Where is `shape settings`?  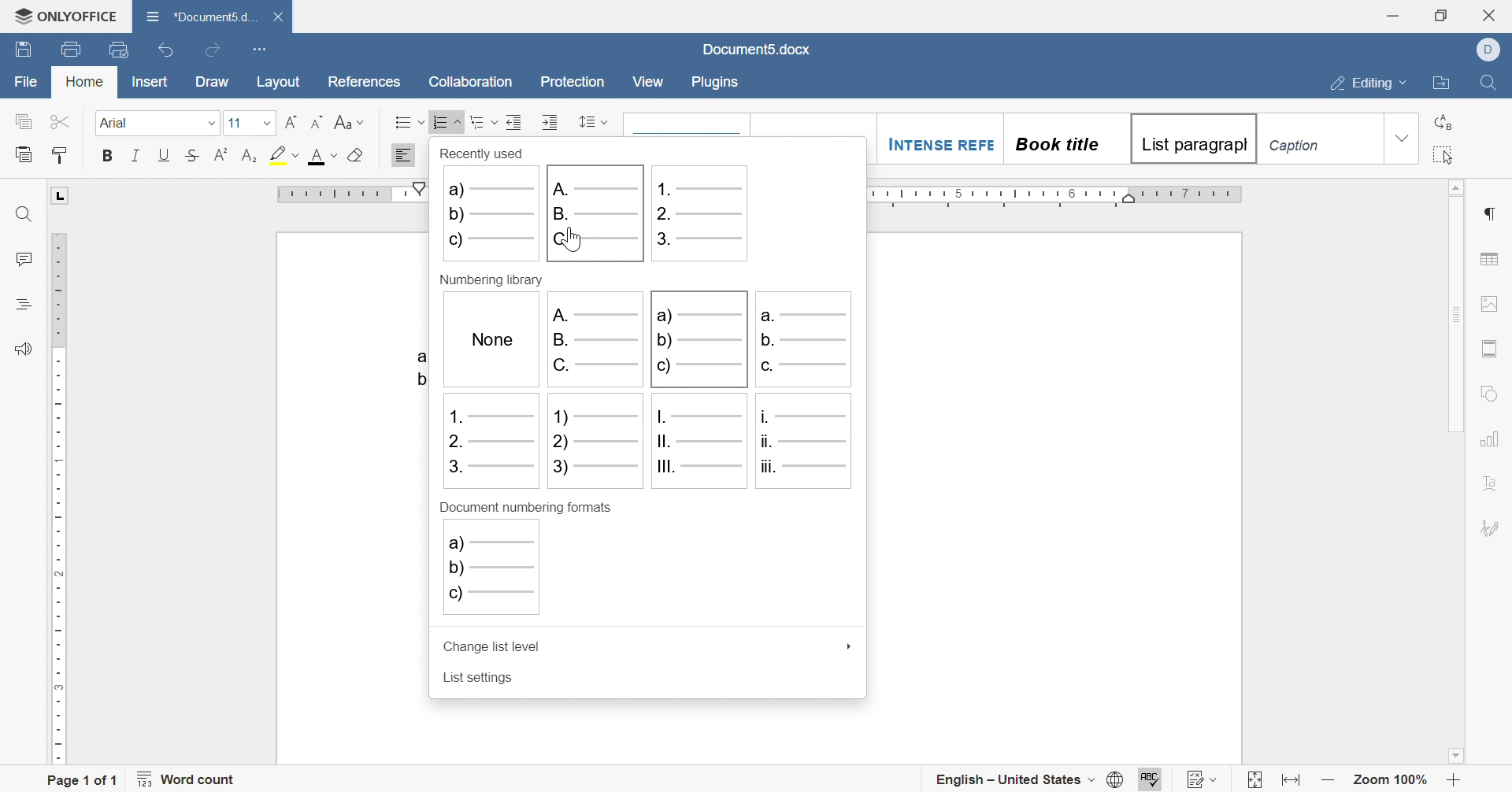
shape settings is located at coordinates (1488, 394).